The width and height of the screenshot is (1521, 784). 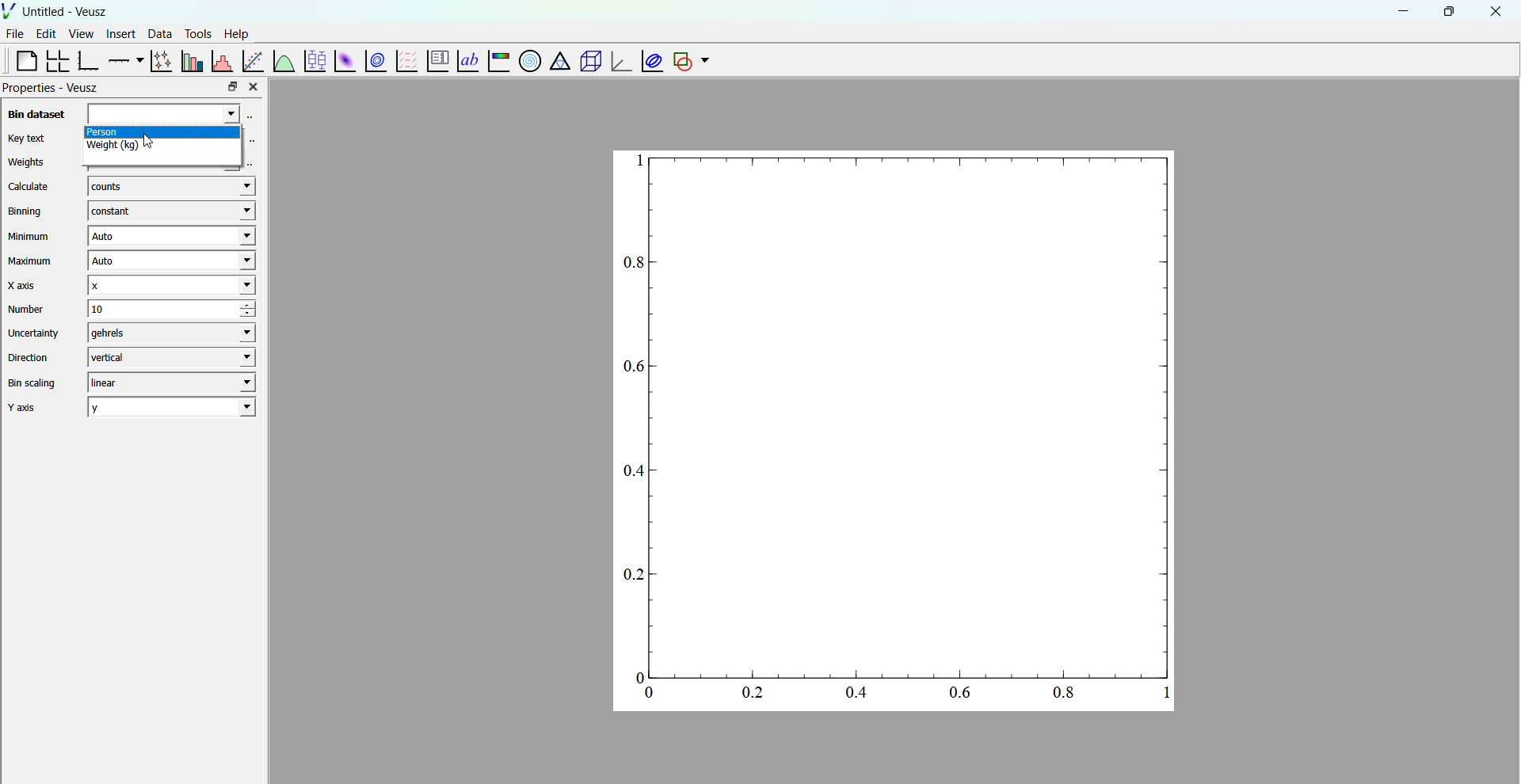 I want to click on plot 2d datasets as contour, so click(x=376, y=62).